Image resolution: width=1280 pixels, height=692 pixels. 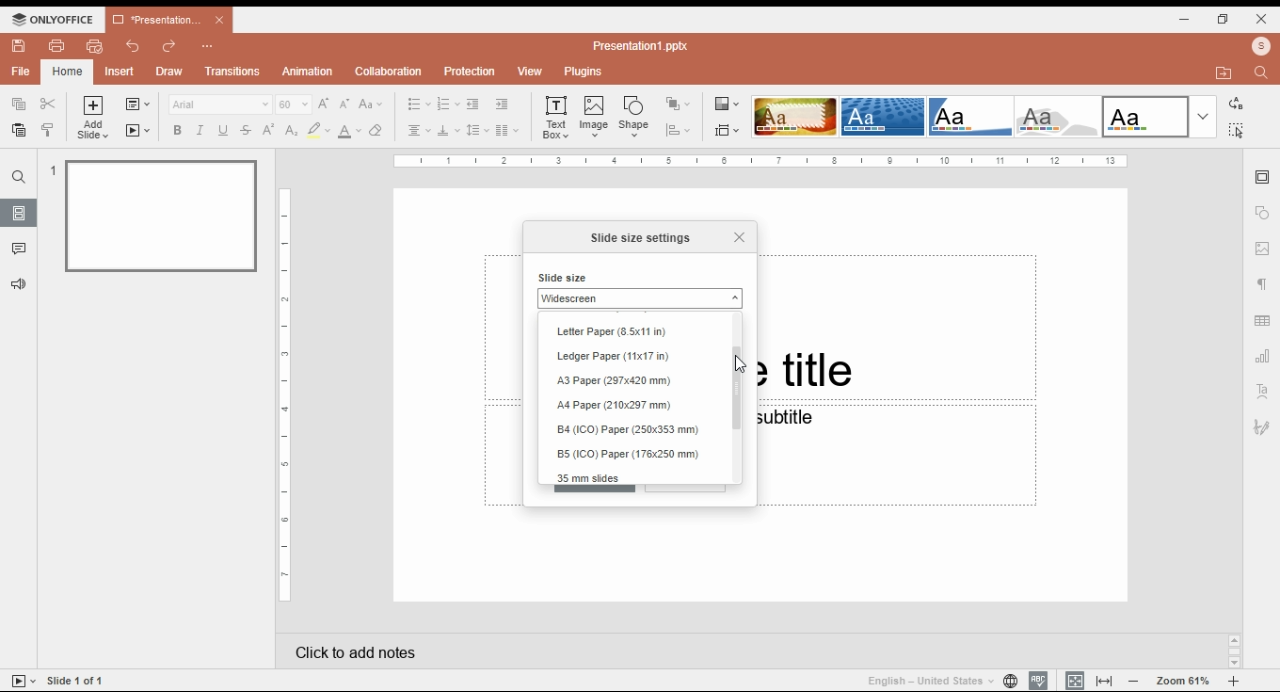 I want to click on image settings, so click(x=1263, y=250).